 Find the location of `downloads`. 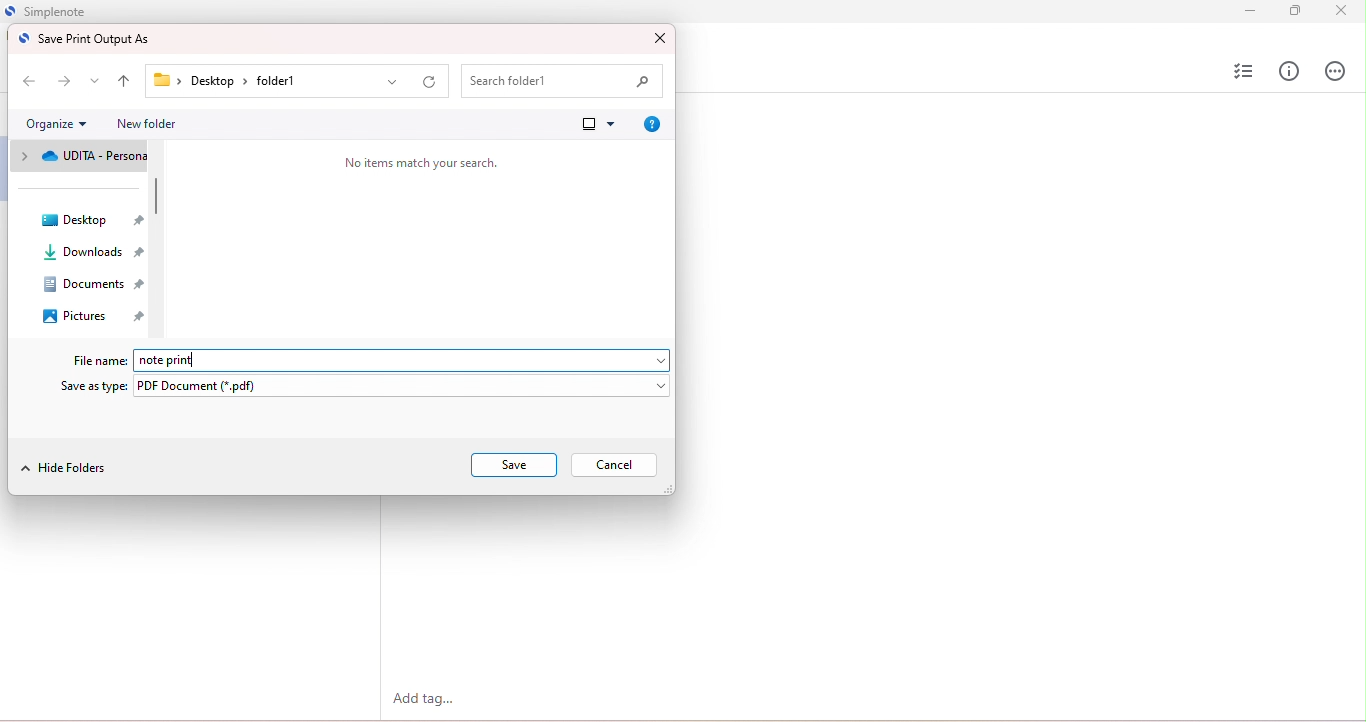

downloads is located at coordinates (80, 257).